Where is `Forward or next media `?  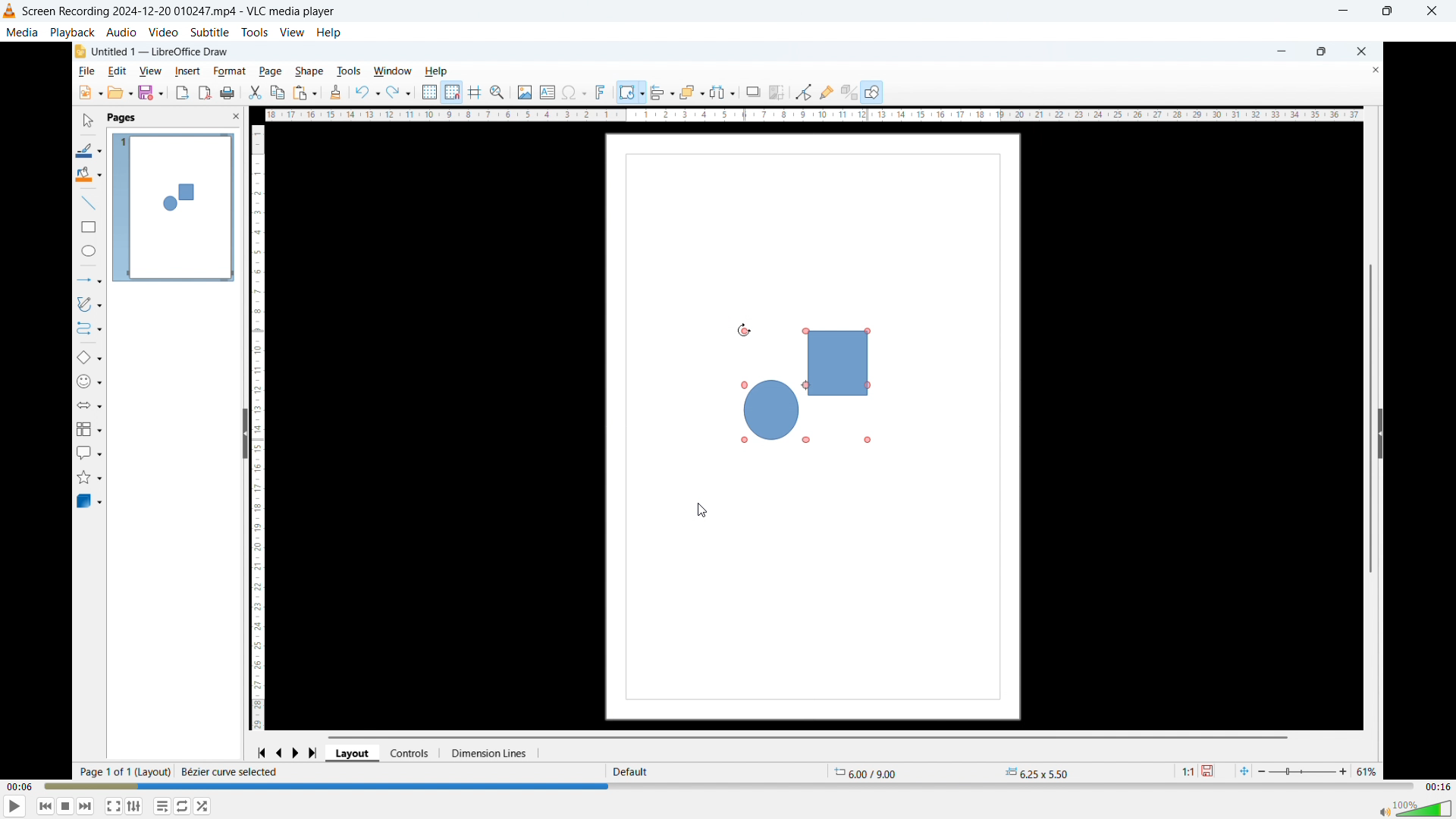
Forward or next media  is located at coordinates (85, 807).